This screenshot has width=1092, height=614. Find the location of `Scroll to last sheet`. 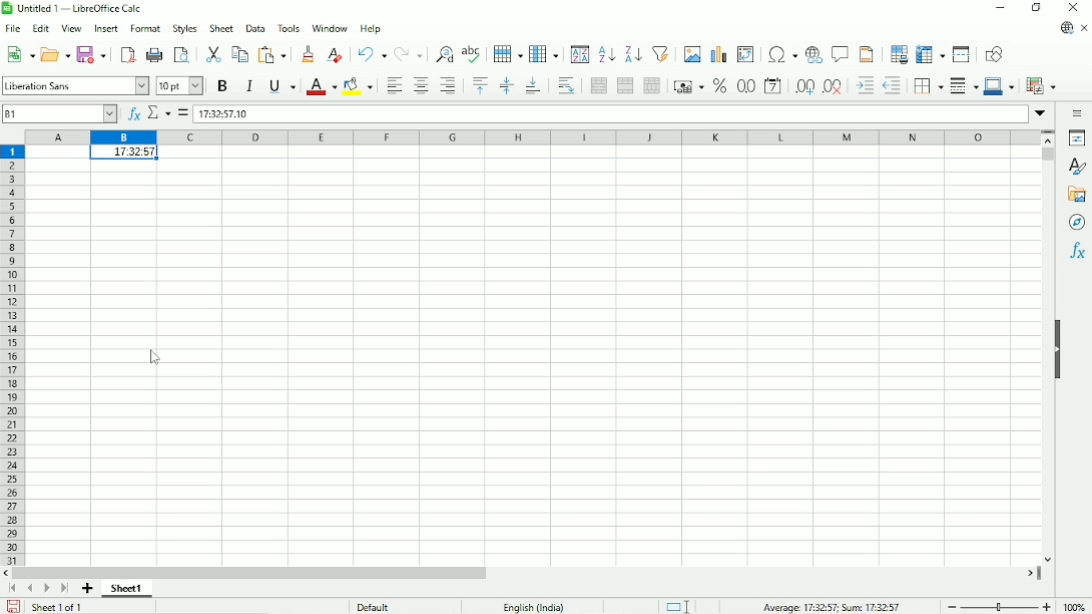

Scroll to last sheet is located at coordinates (65, 589).